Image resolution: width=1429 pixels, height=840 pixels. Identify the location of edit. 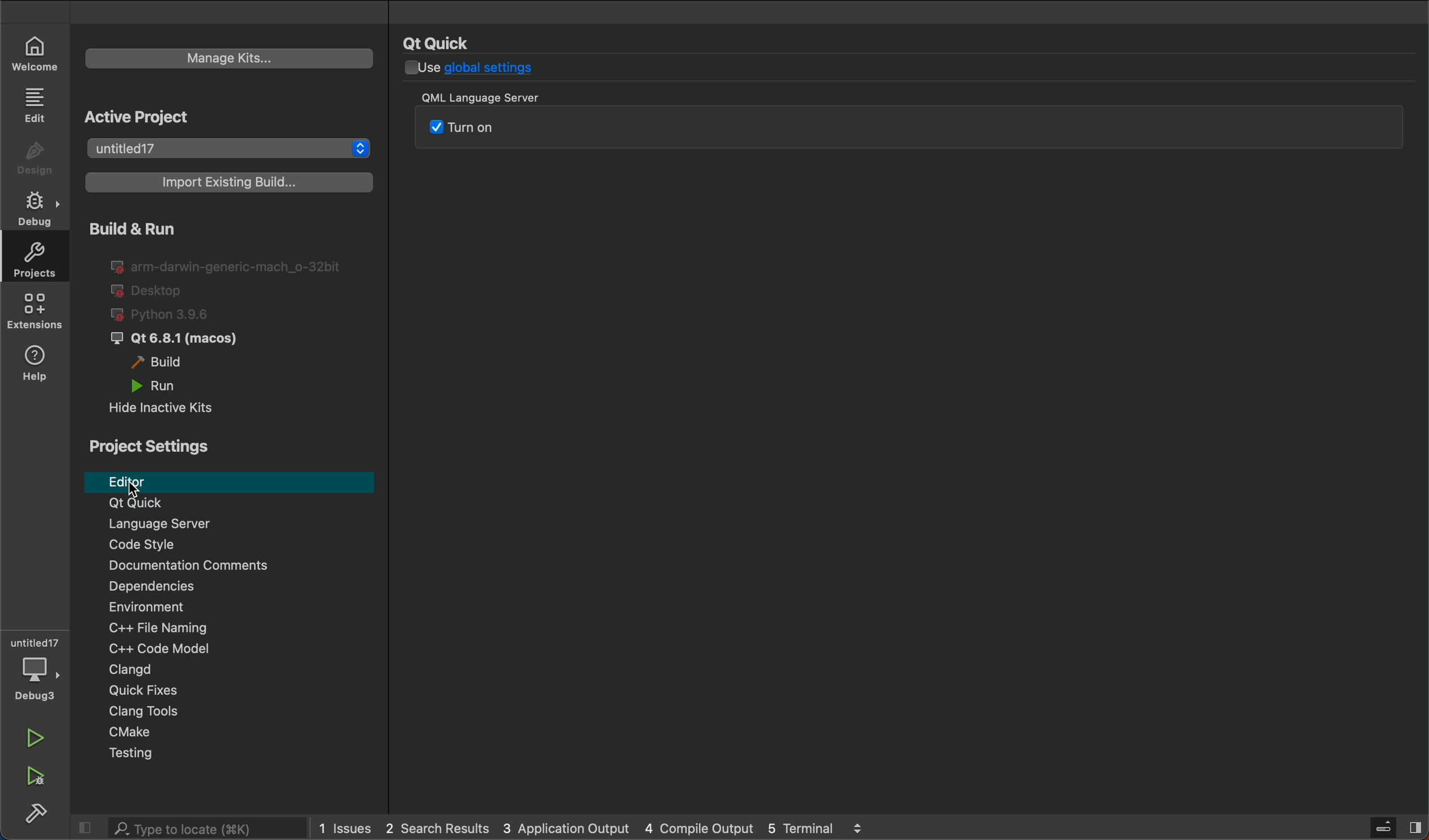
(39, 107).